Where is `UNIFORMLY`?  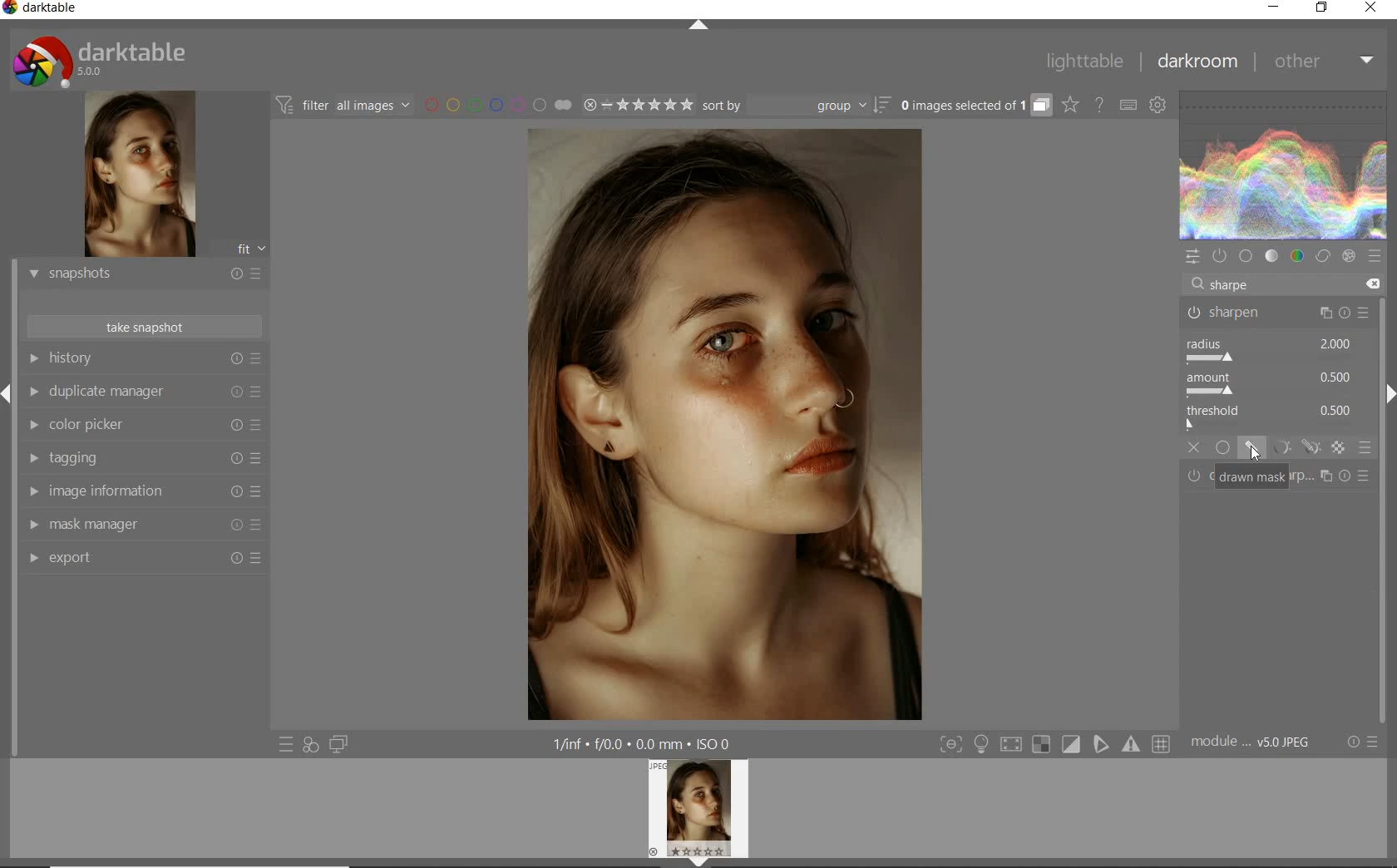
UNIFORMLY is located at coordinates (1223, 448).